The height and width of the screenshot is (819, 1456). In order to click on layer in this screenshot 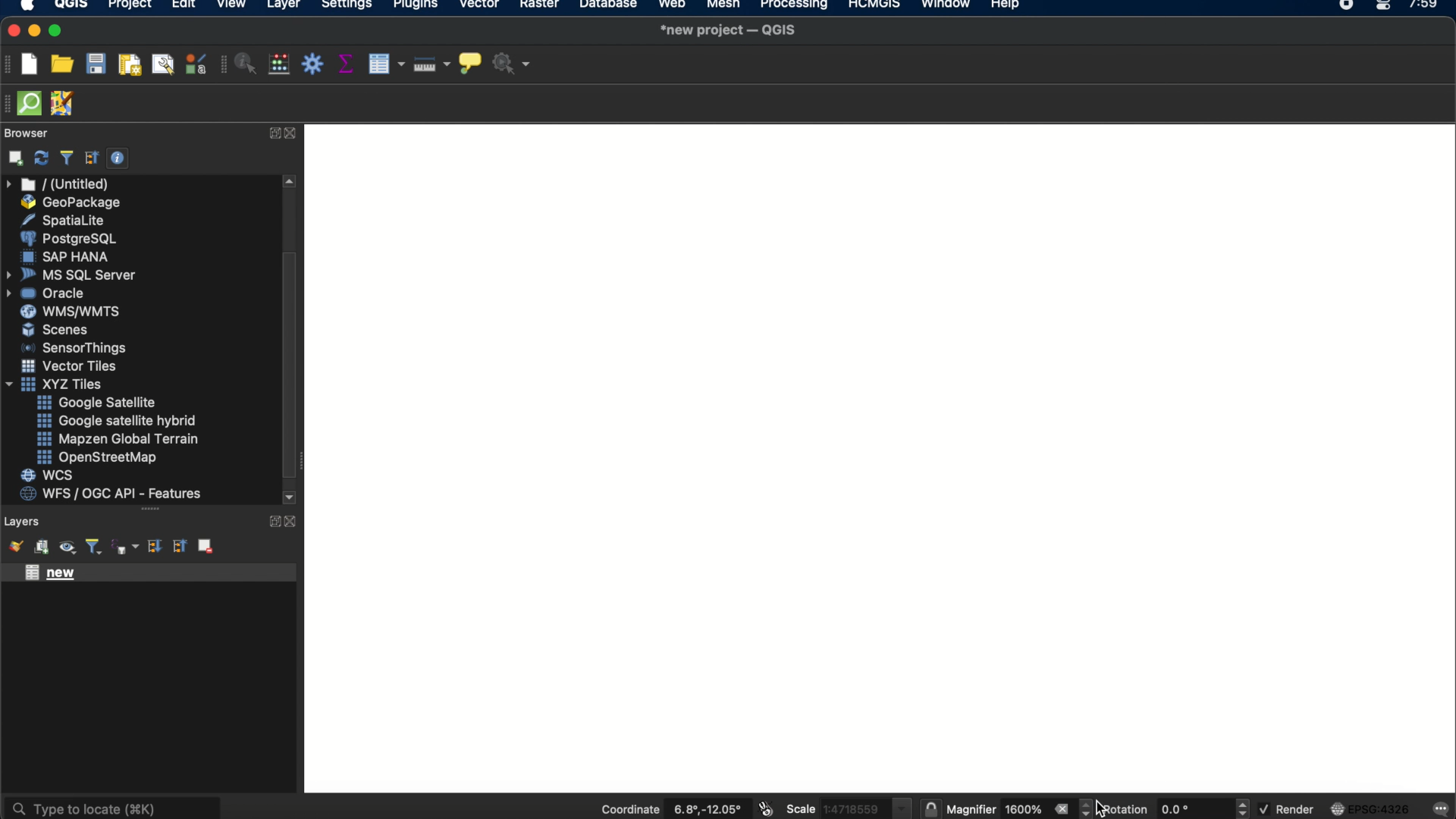, I will do `click(284, 8)`.